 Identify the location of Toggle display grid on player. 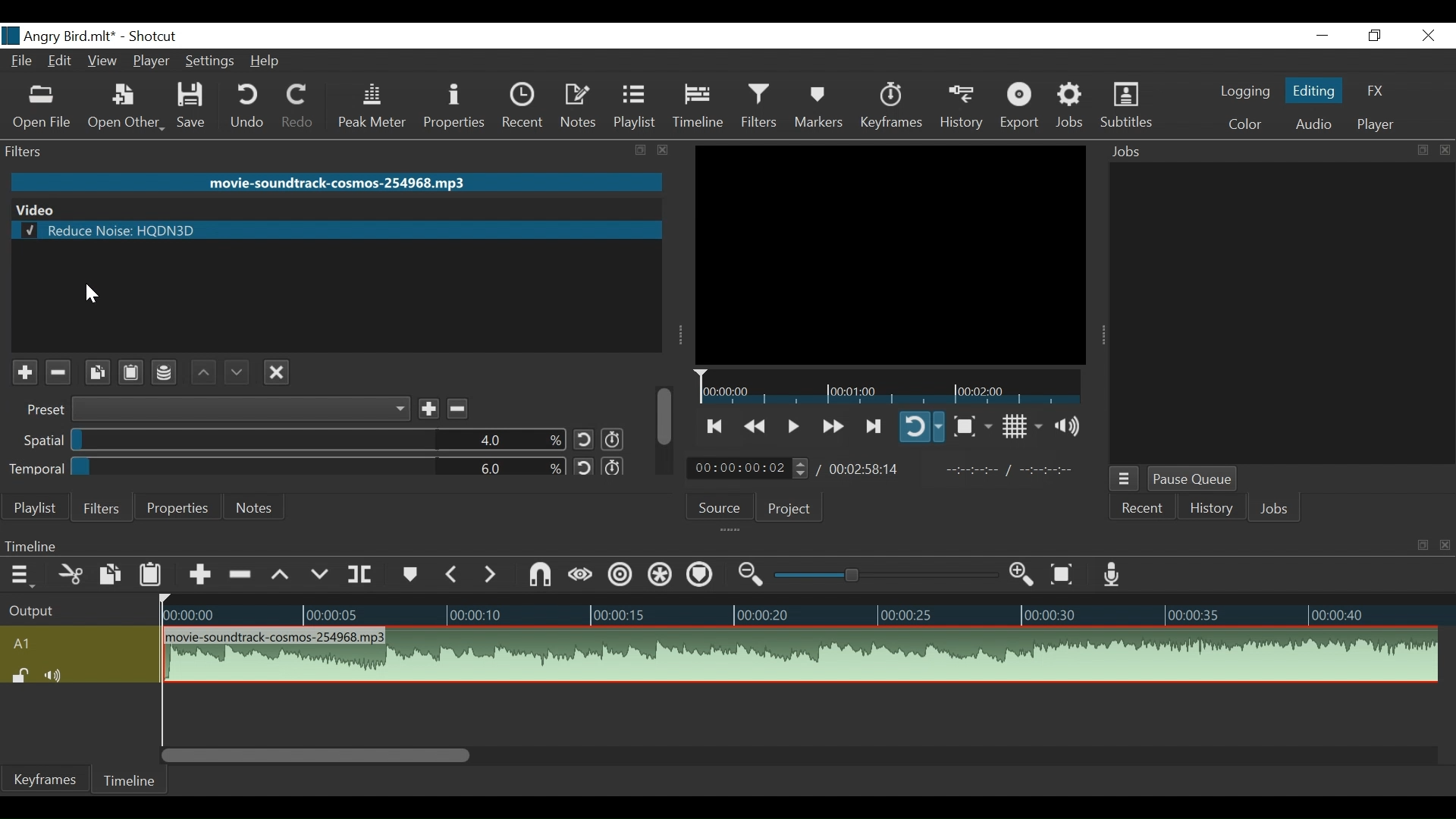
(1021, 428).